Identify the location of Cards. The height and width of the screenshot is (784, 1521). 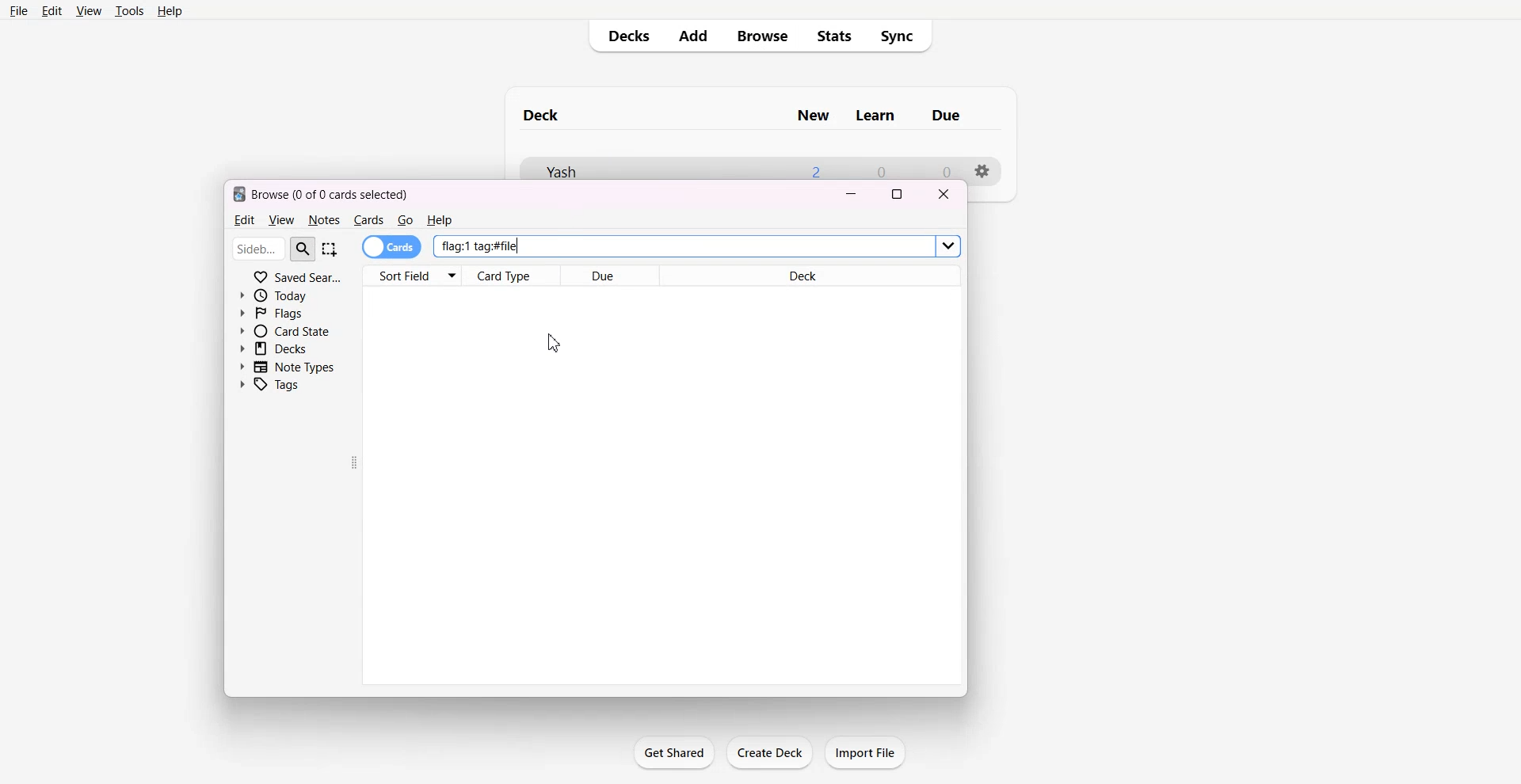
(368, 220).